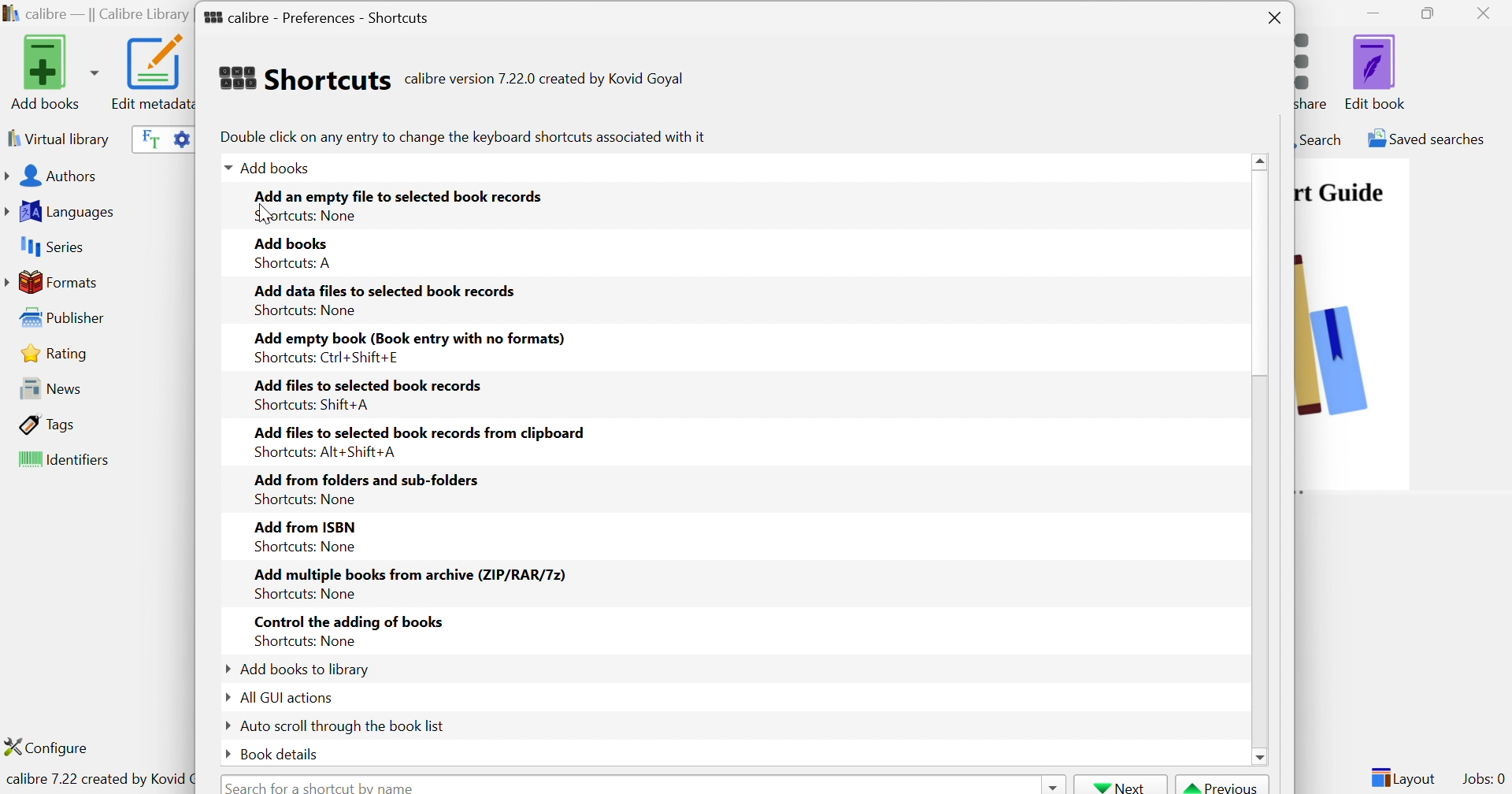  What do you see at coordinates (306, 643) in the screenshot?
I see `Shortcuts: None` at bounding box center [306, 643].